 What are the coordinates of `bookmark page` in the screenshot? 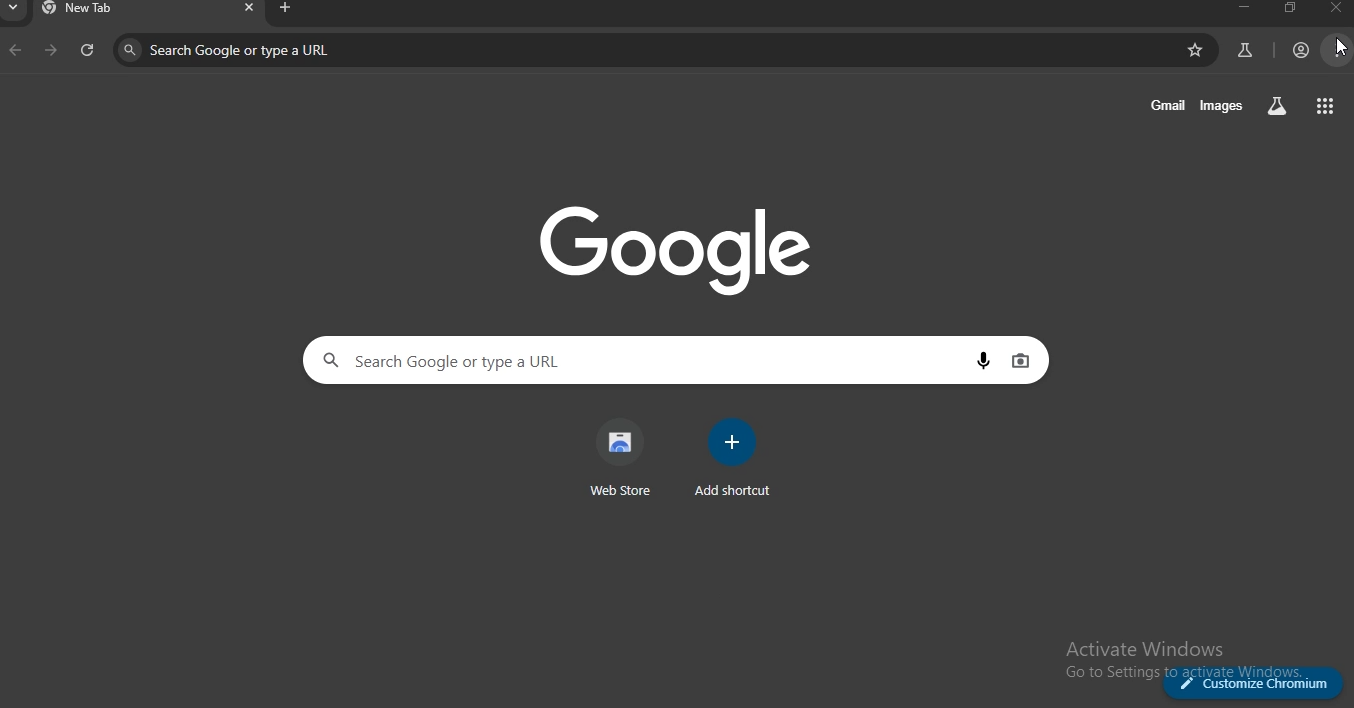 It's located at (1196, 51).